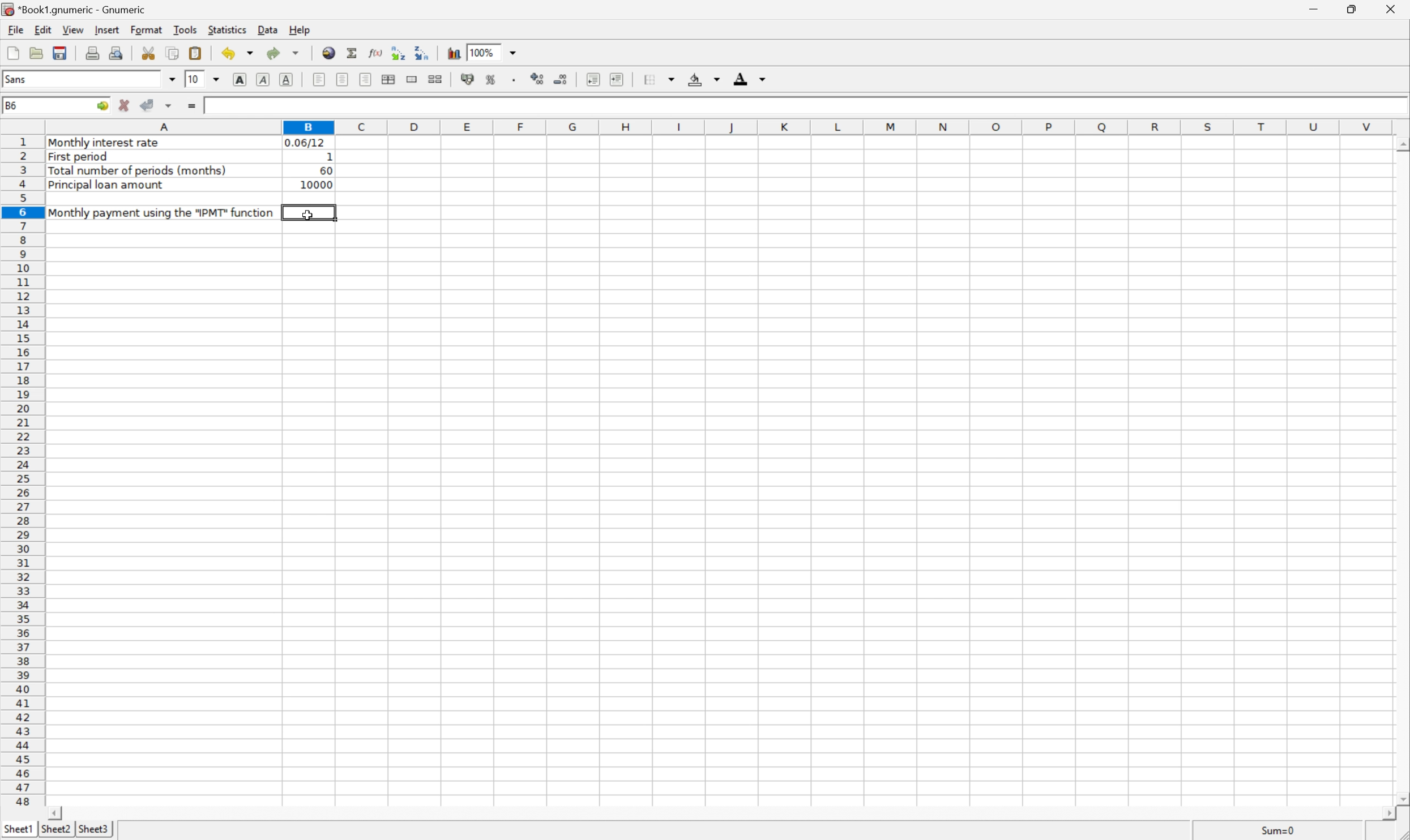 The width and height of the screenshot is (1410, 840). I want to click on Paste clipboard, so click(195, 53).